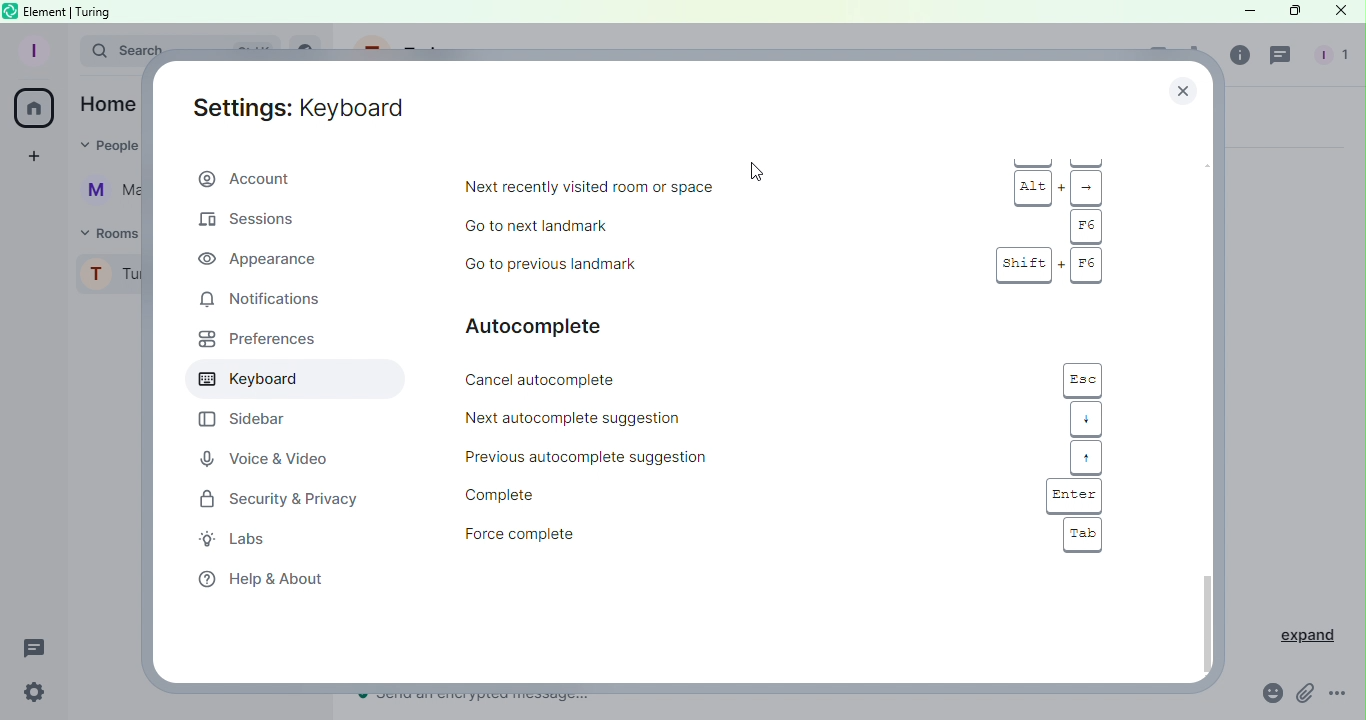  What do you see at coordinates (1187, 86) in the screenshot?
I see `Close` at bounding box center [1187, 86].